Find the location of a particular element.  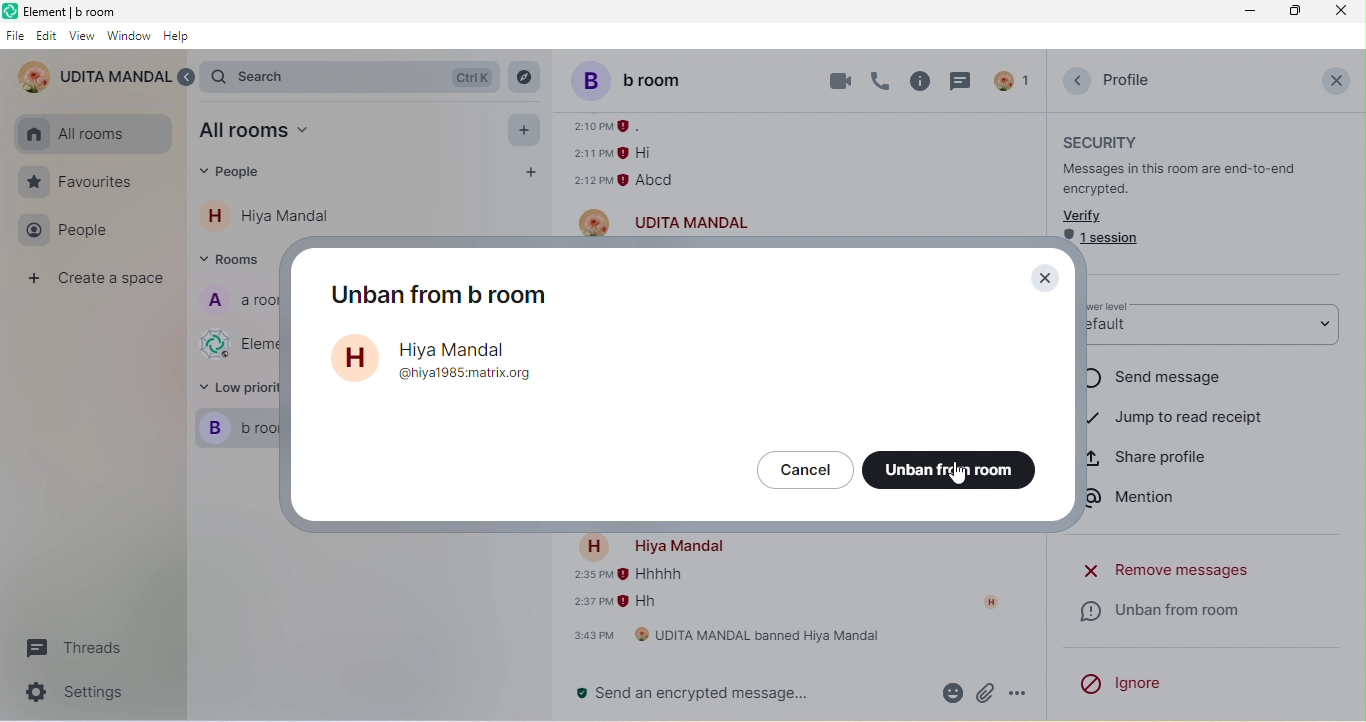

maximize is located at coordinates (1294, 11).